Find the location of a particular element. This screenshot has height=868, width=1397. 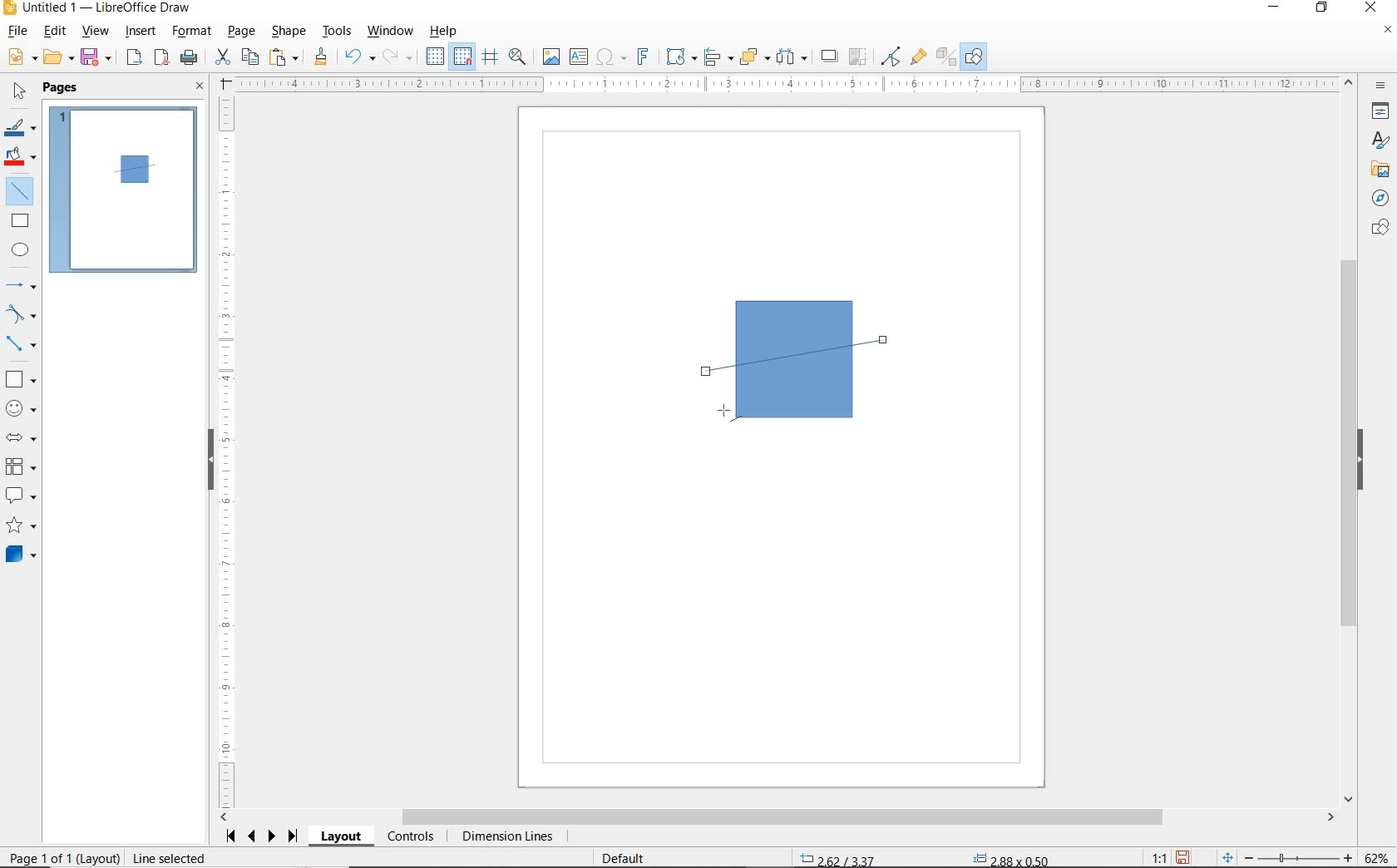

DEFAULT is located at coordinates (629, 859).